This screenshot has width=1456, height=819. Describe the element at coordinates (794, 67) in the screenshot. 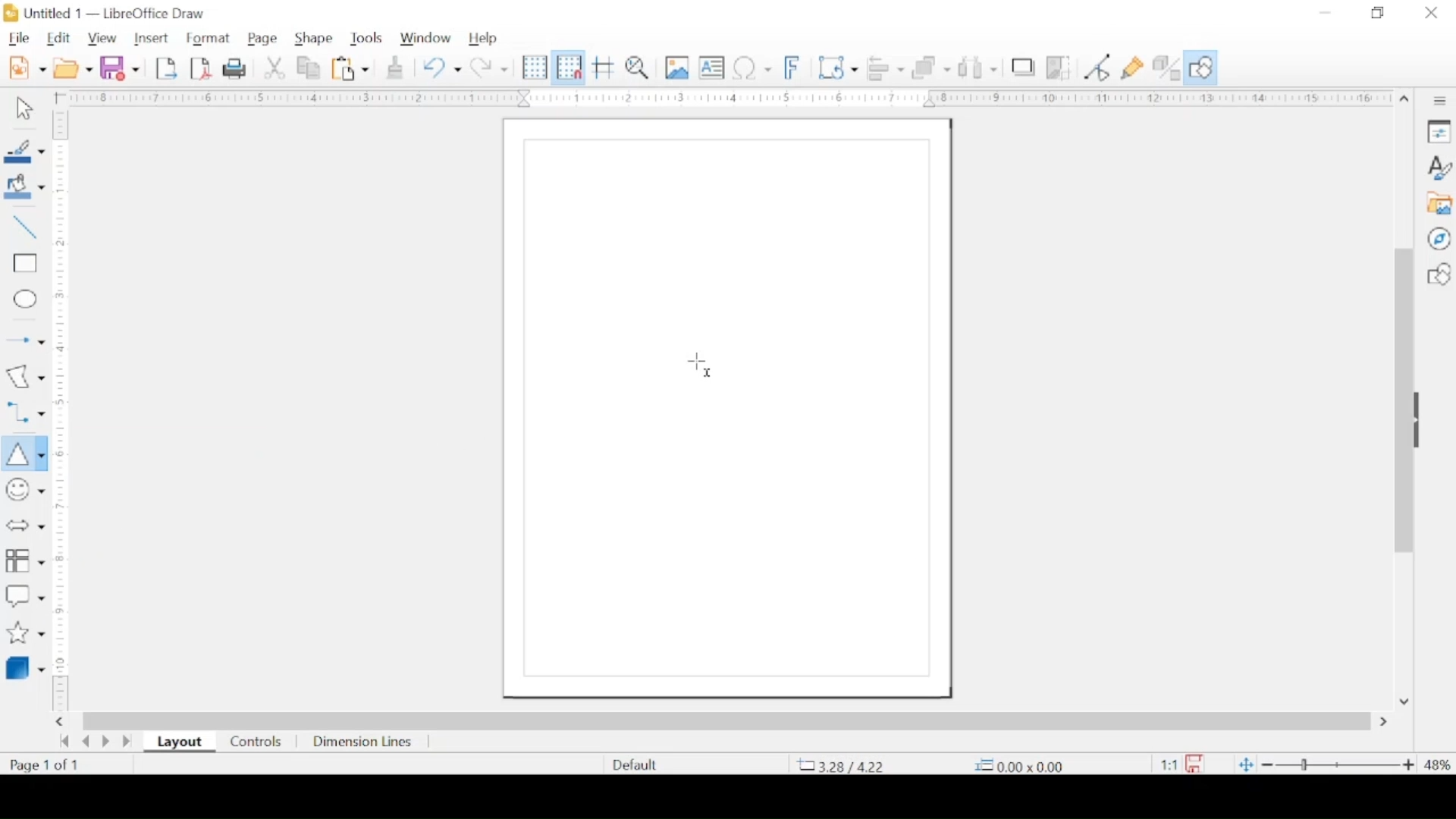

I see `insert fontwork text` at that location.